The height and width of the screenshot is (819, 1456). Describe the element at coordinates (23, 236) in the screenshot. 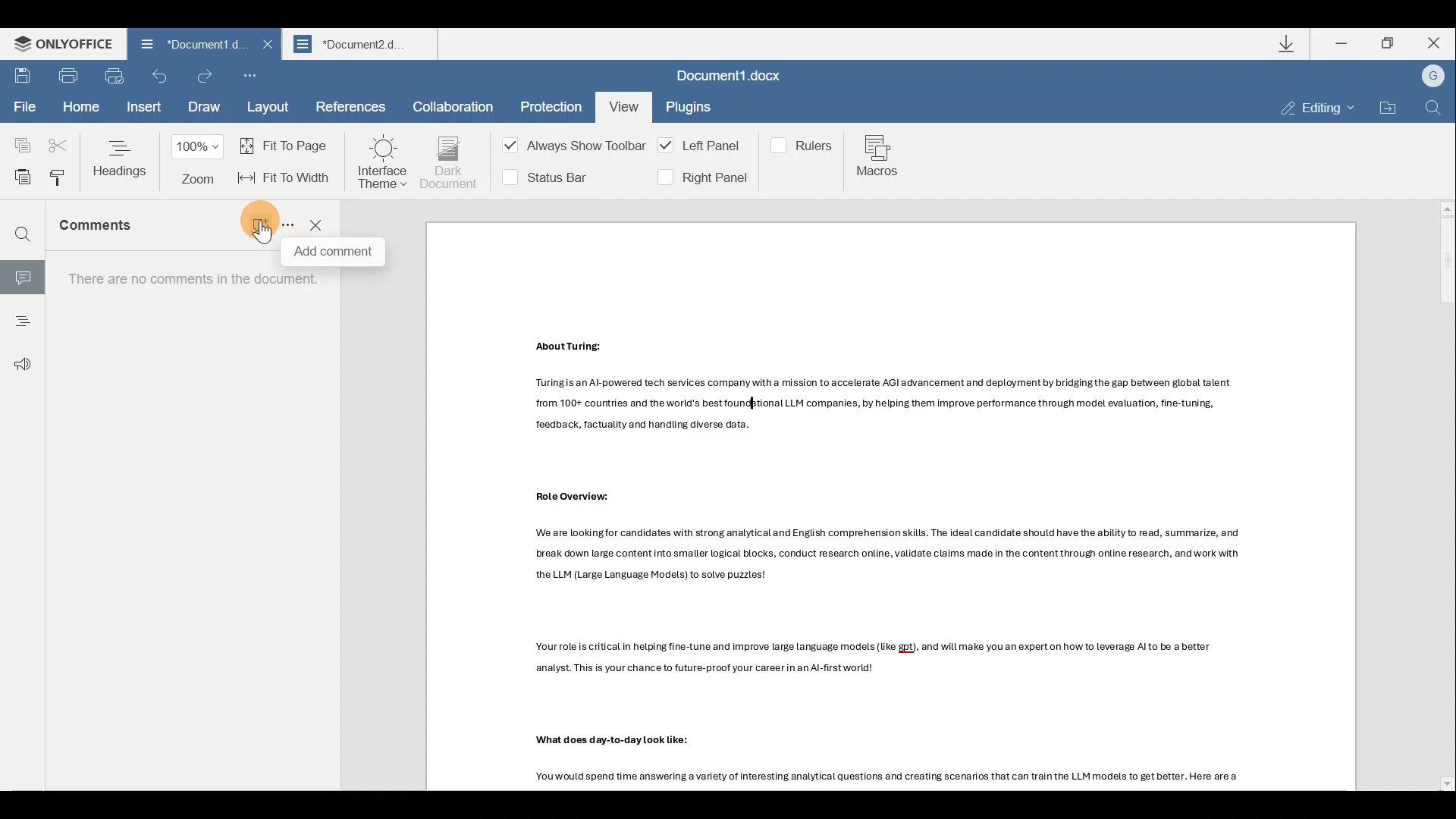

I see `Find` at that location.